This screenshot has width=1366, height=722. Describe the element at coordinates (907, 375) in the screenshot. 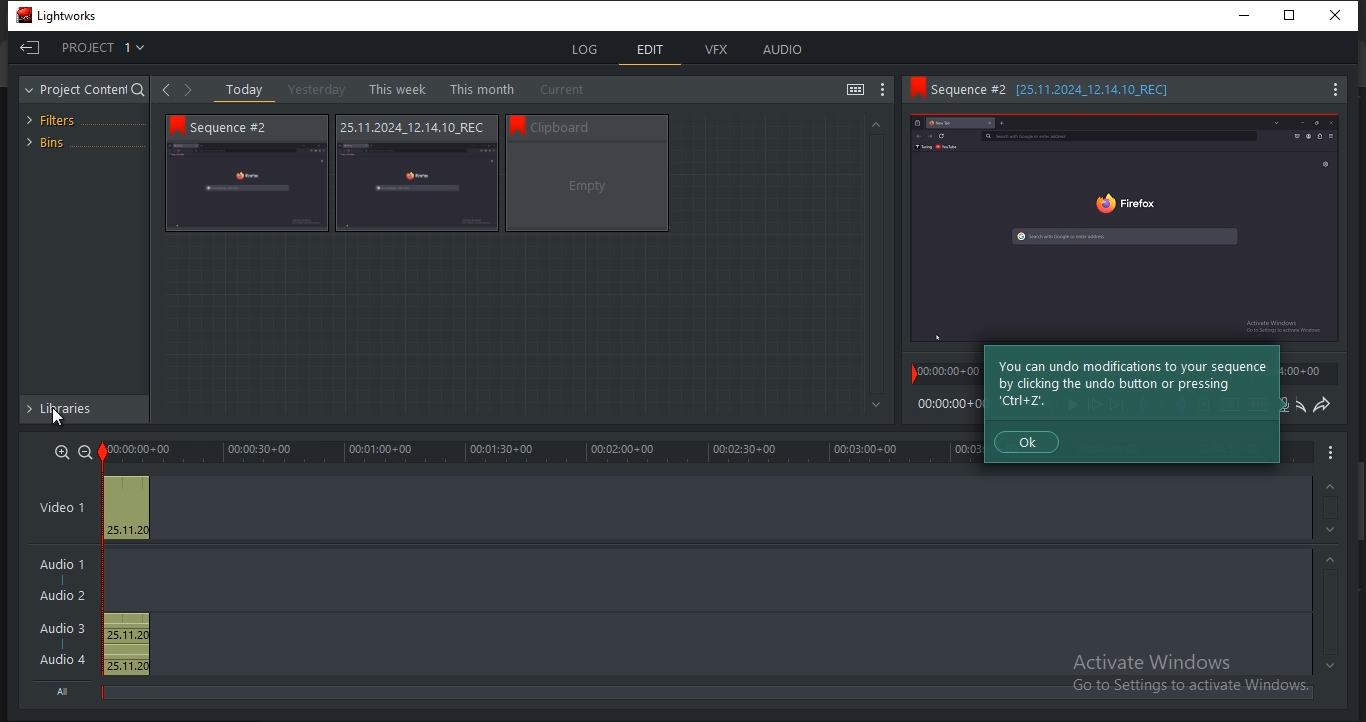

I see `Playback marker` at that location.